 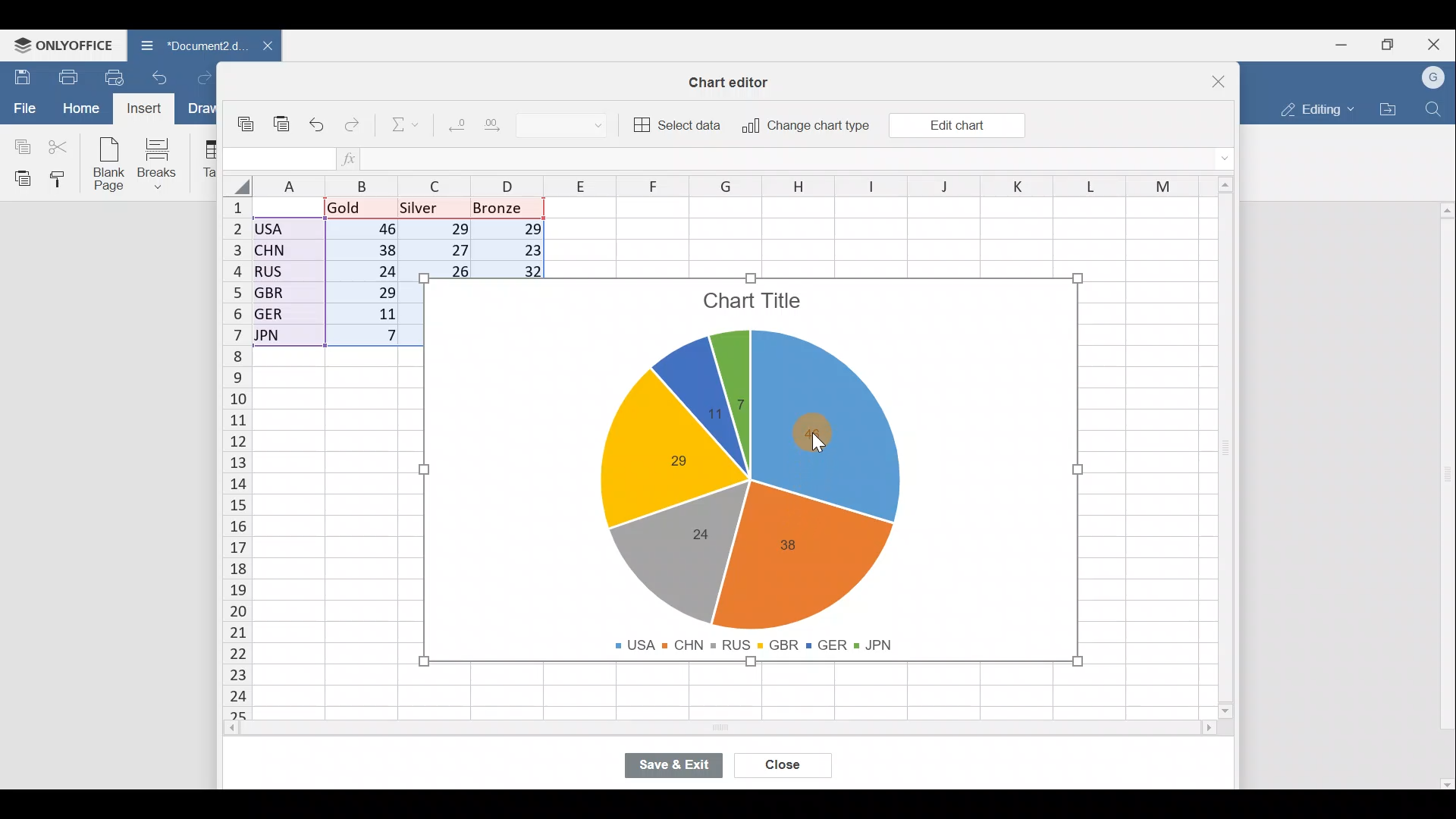 I want to click on Columns, so click(x=745, y=186).